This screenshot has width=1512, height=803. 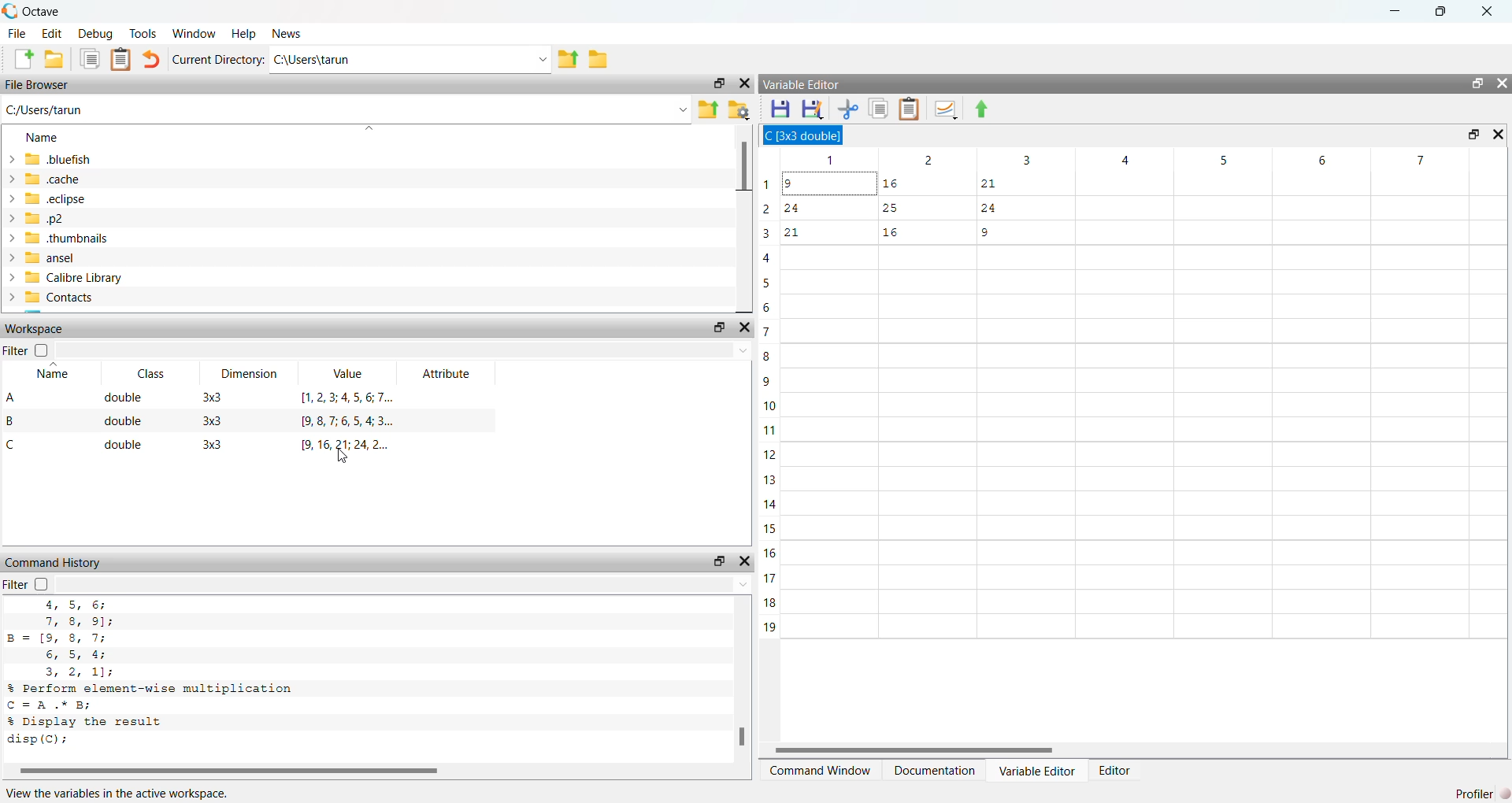 What do you see at coordinates (982, 108) in the screenshot?
I see `Export` at bounding box center [982, 108].